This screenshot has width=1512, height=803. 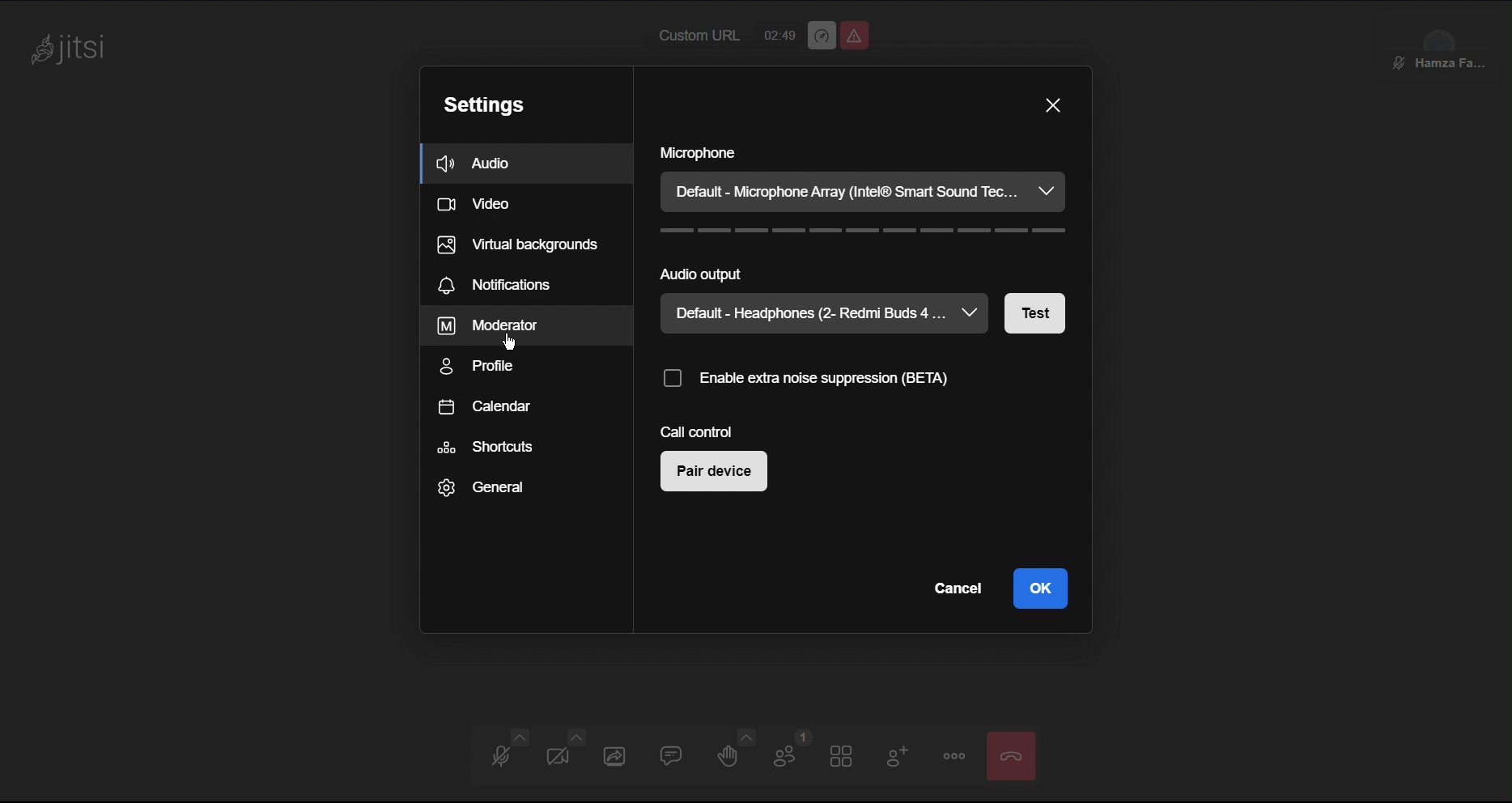 What do you see at coordinates (500, 284) in the screenshot?
I see `Notifications` at bounding box center [500, 284].